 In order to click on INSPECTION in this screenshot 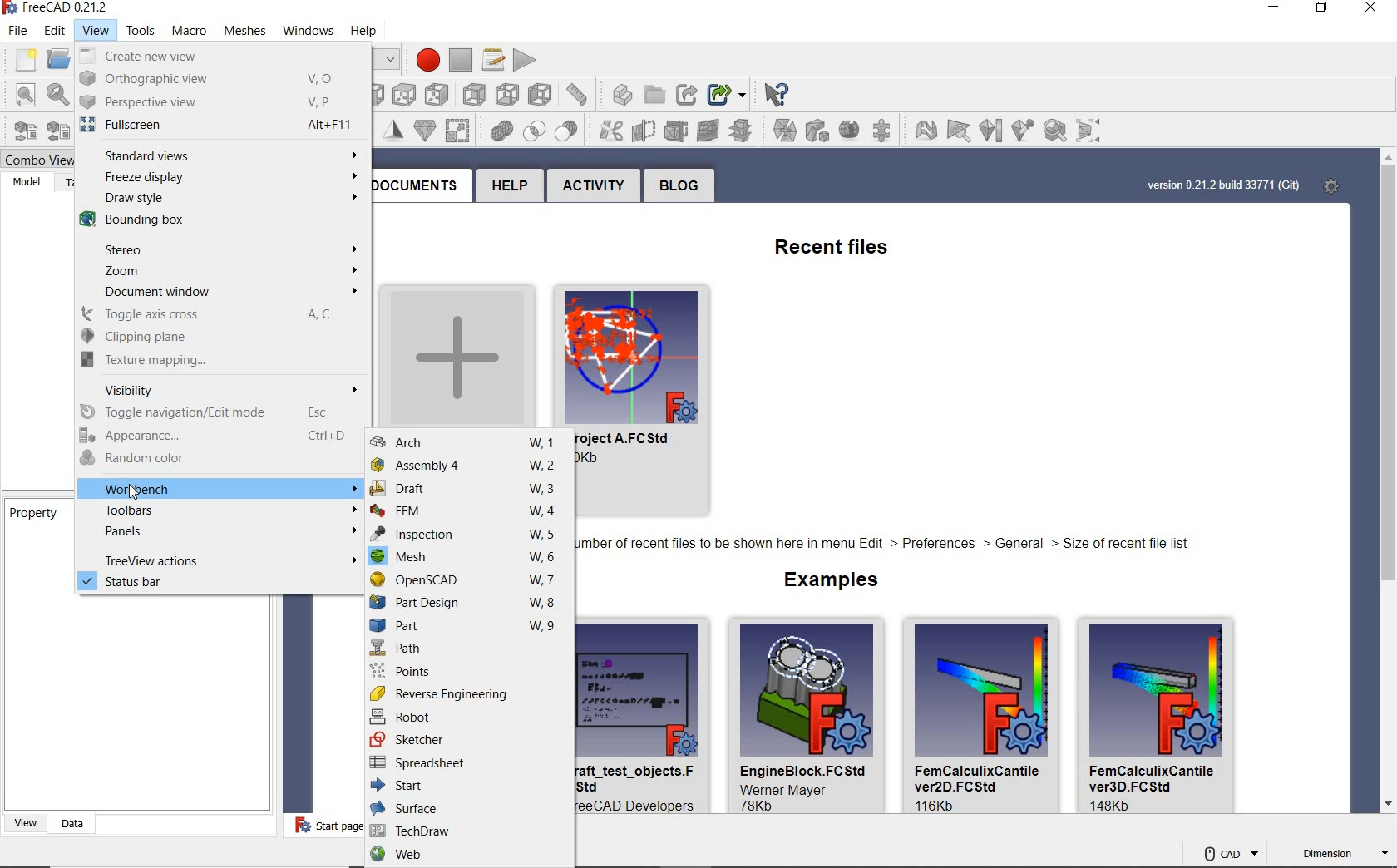, I will do `click(469, 535)`.